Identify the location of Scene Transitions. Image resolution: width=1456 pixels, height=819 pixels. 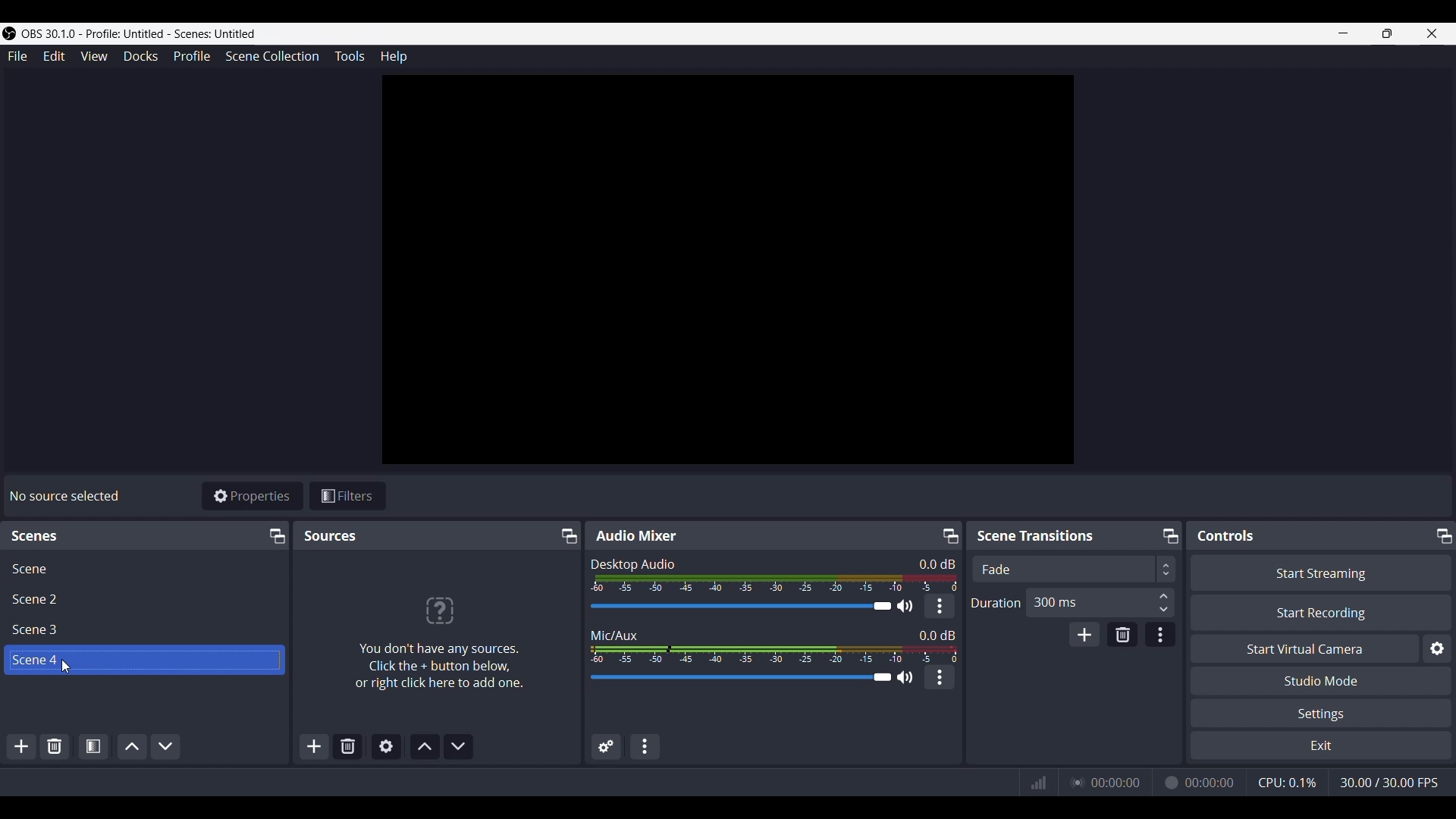
(1039, 535).